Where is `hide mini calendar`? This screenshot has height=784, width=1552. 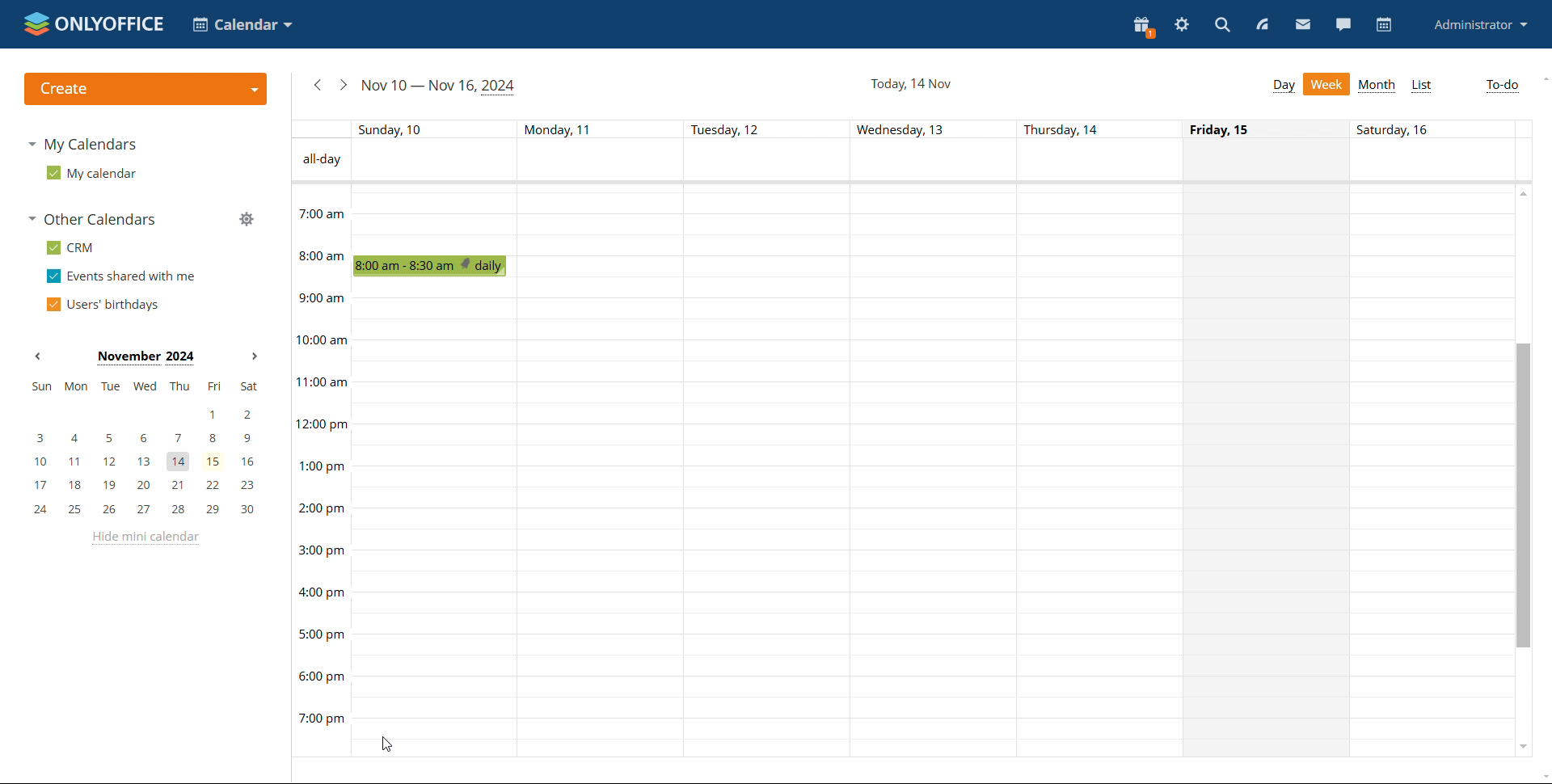 hide mini calendar is located at coordinates (143, 538).